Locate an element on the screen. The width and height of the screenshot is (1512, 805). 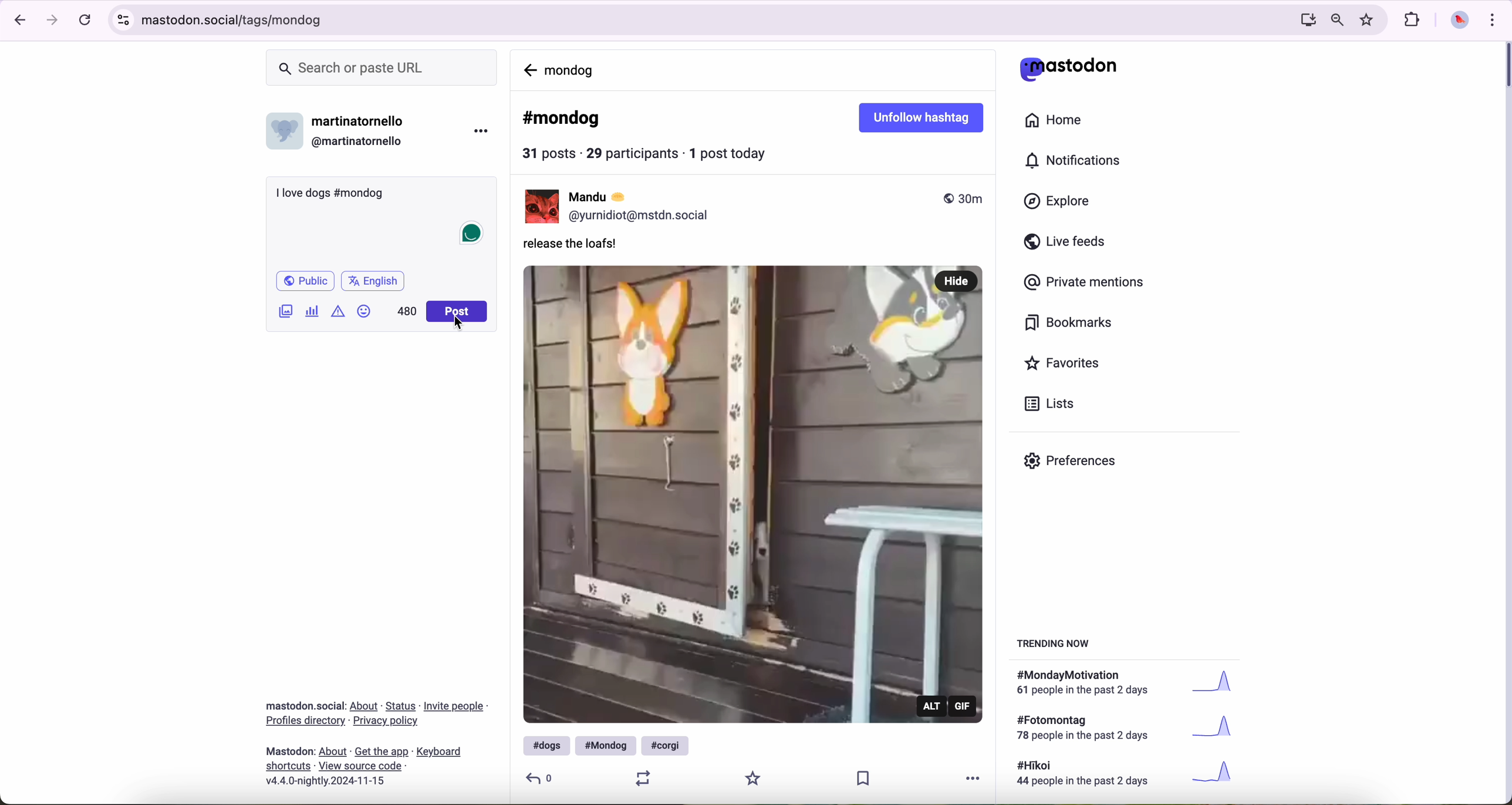
user name is located at coordinates (362, 122).